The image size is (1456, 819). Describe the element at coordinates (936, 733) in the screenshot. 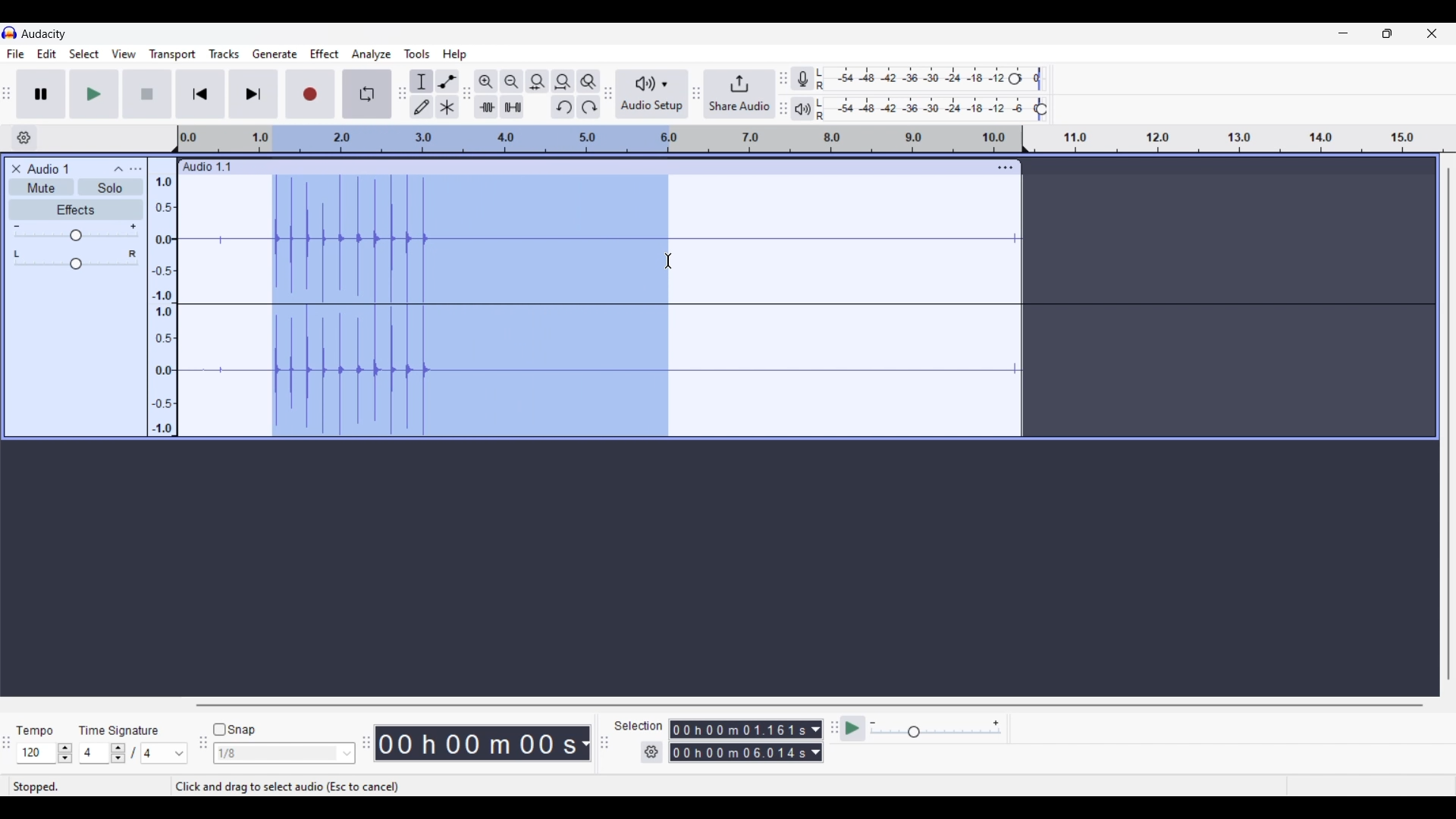

I see `Slider to change playback speed` at that location.